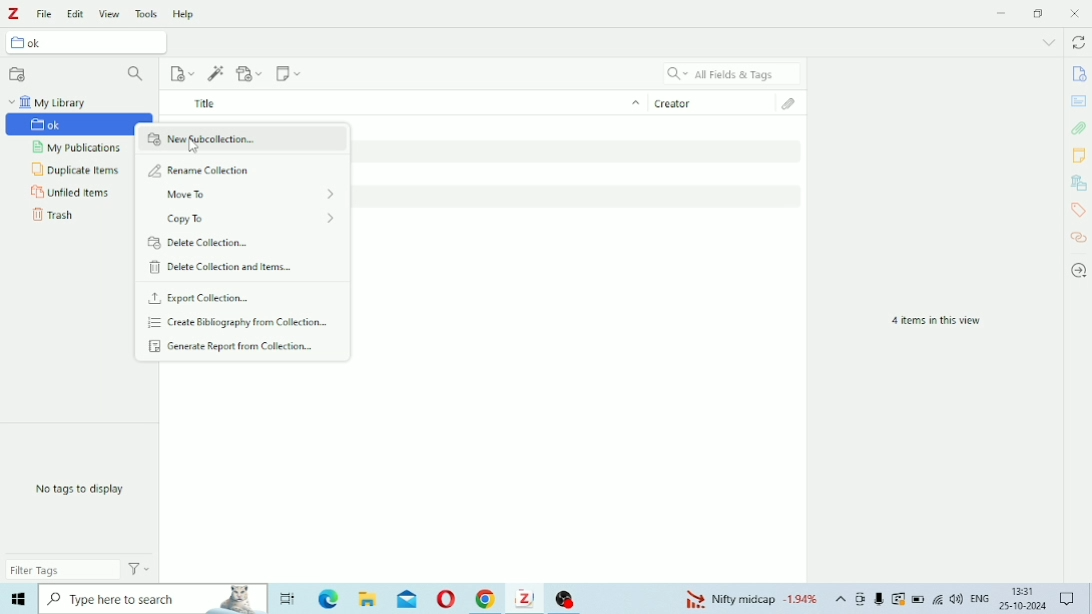 Image resolution: width=1092 pixels, height=614 pixels. Describe the element at coordinates (732, 73) in the screenshot. I see `All Fields & Tags` at that location.